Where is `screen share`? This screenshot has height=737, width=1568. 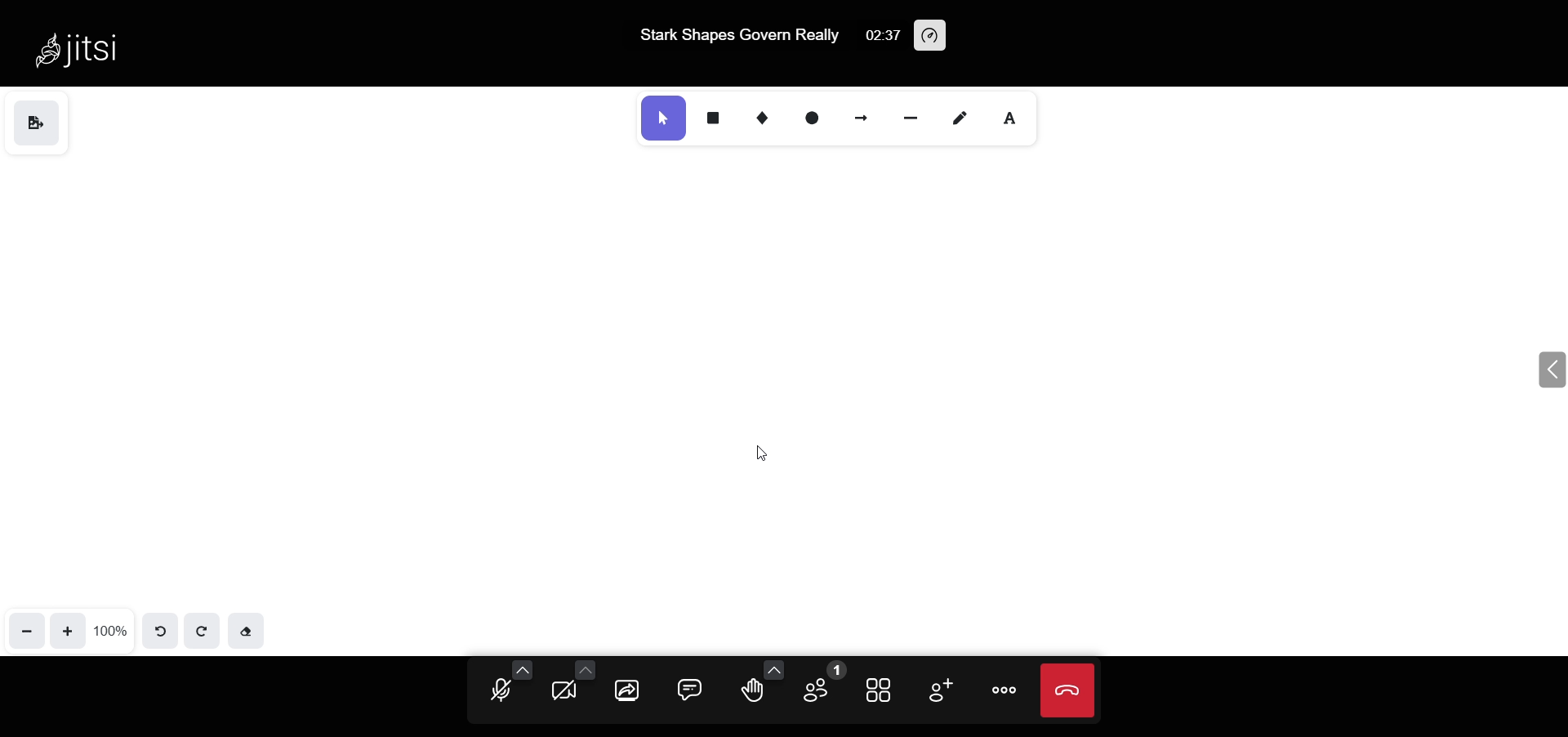
screen share is located at coordinates (629, 691).